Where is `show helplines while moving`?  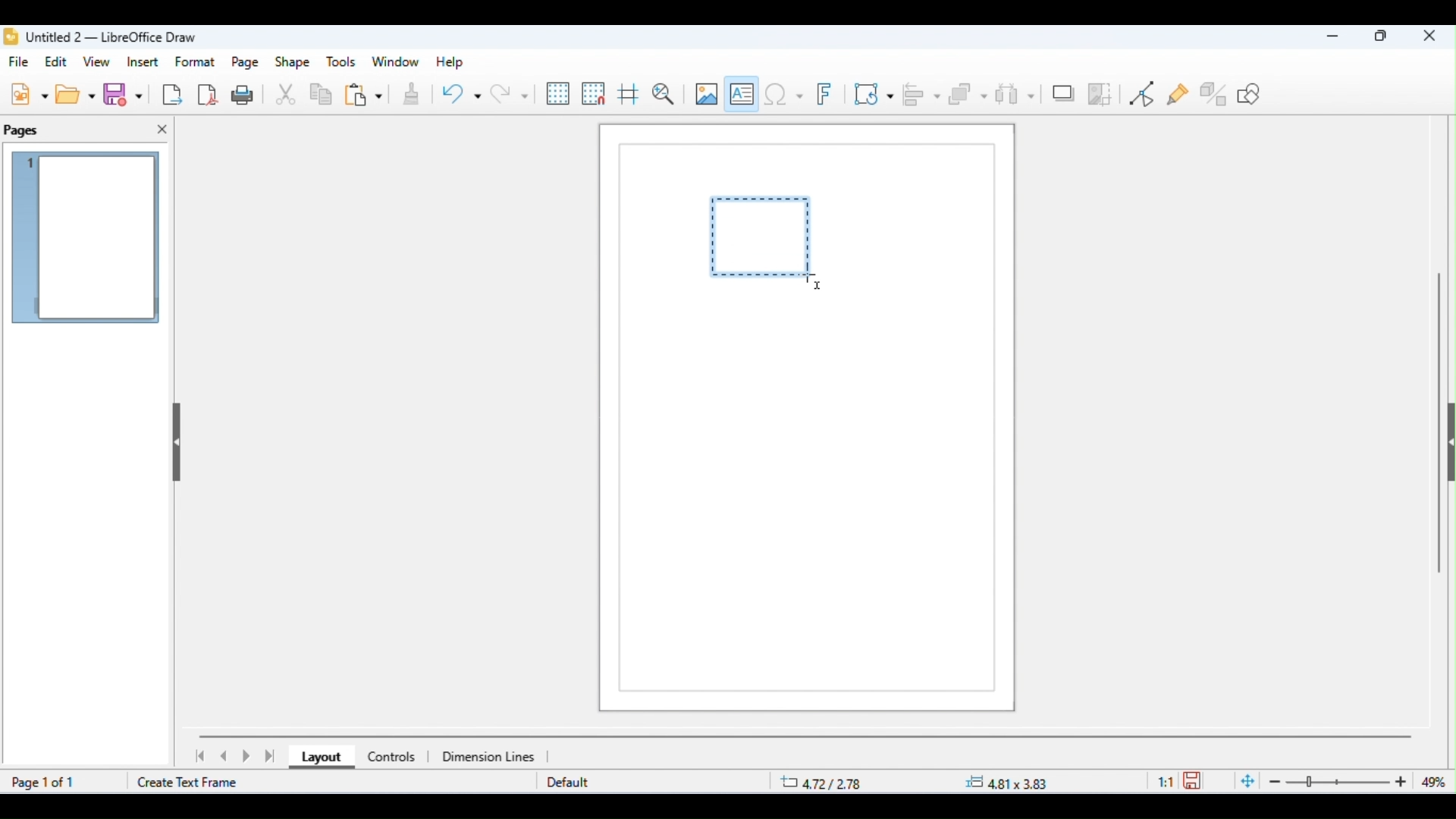
show helplines while moving is located at coordinates (628, 96).